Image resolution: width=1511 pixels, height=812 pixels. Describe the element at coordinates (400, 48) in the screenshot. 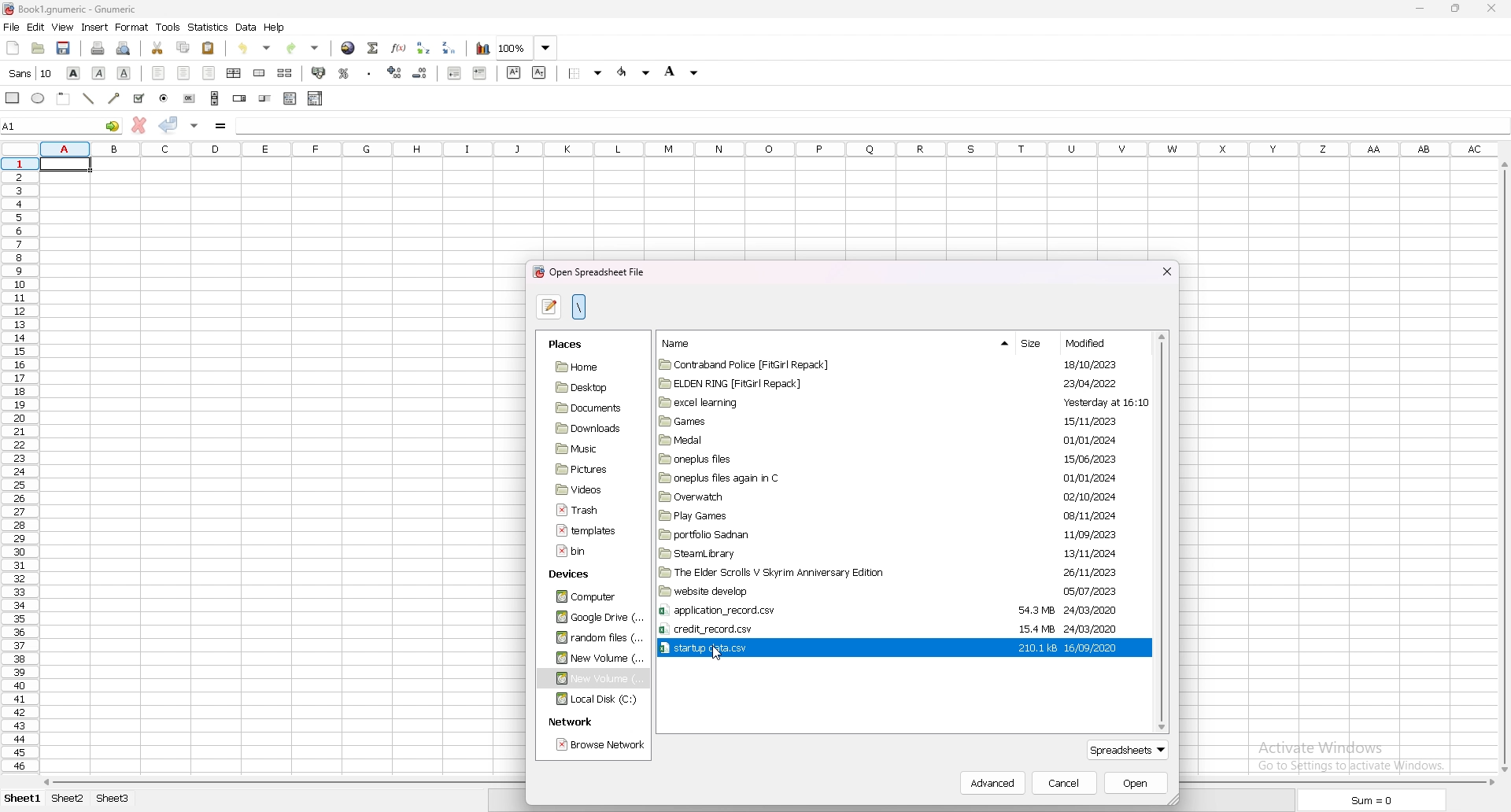

I see `function` at that location.